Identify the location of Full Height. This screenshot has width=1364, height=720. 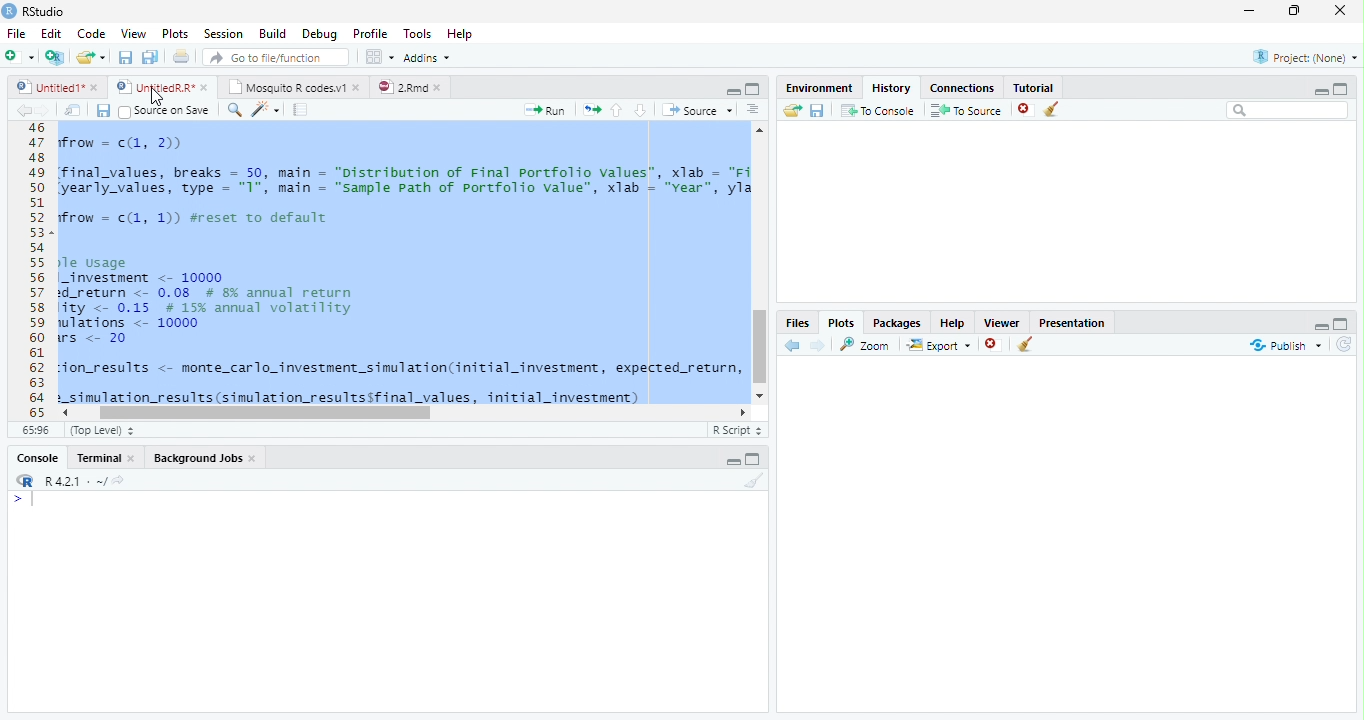
(756, 458).